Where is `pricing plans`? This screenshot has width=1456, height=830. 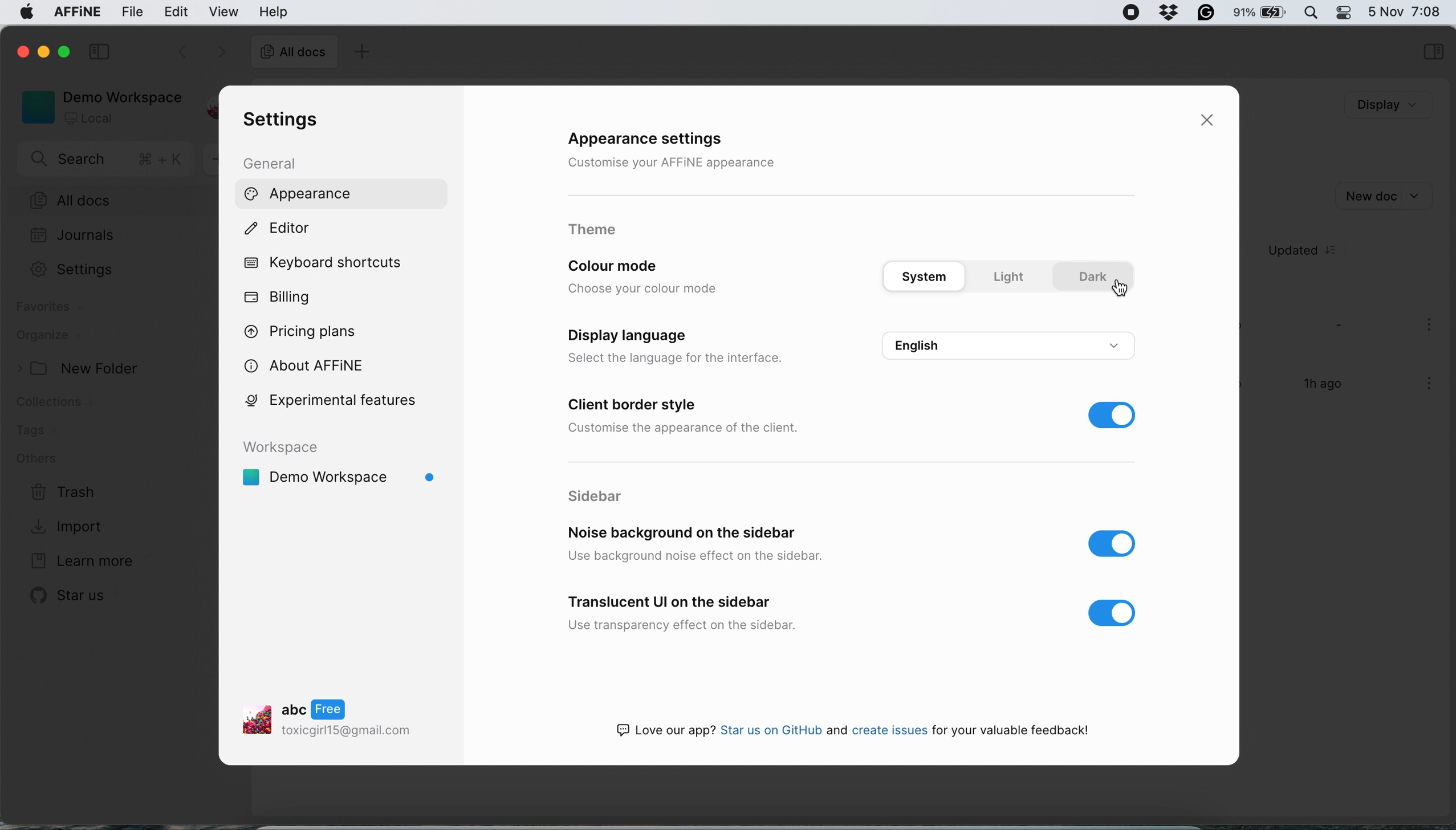
pricing plans is located at coordinates (303, 335).